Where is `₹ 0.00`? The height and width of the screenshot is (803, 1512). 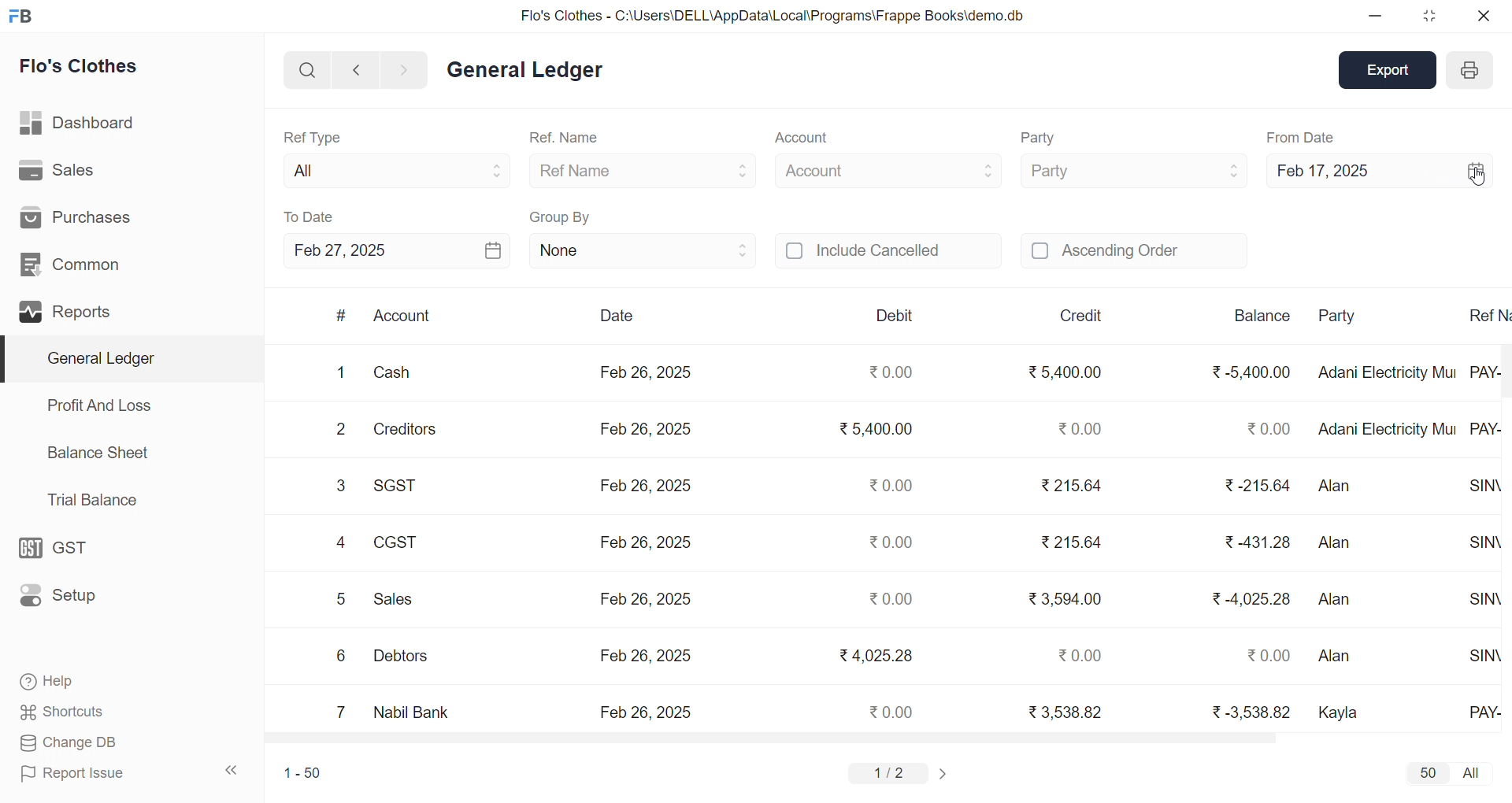 ₹ 0.00 is located at coordinates (1269, 656).